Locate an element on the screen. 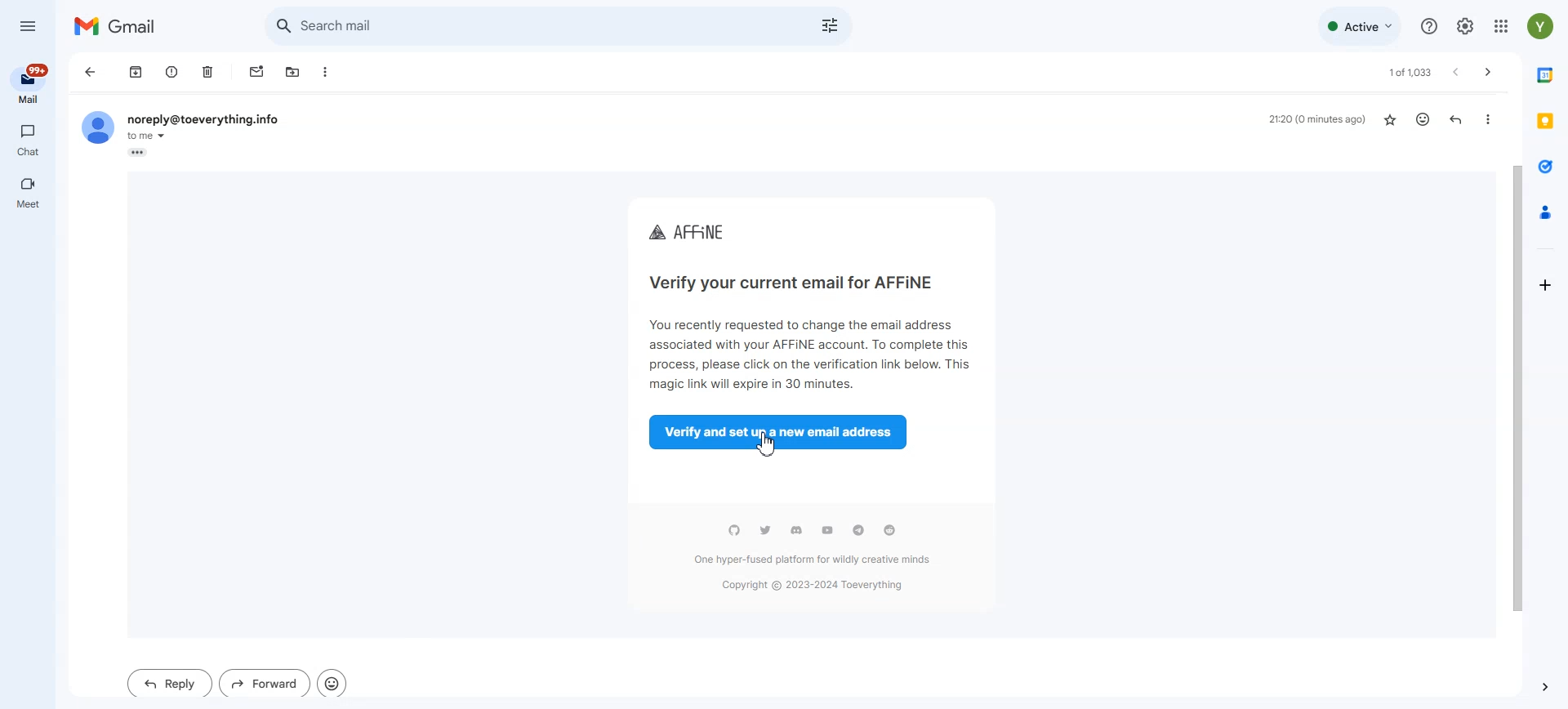  Show trimmed content is located at coordinates (138, 153).